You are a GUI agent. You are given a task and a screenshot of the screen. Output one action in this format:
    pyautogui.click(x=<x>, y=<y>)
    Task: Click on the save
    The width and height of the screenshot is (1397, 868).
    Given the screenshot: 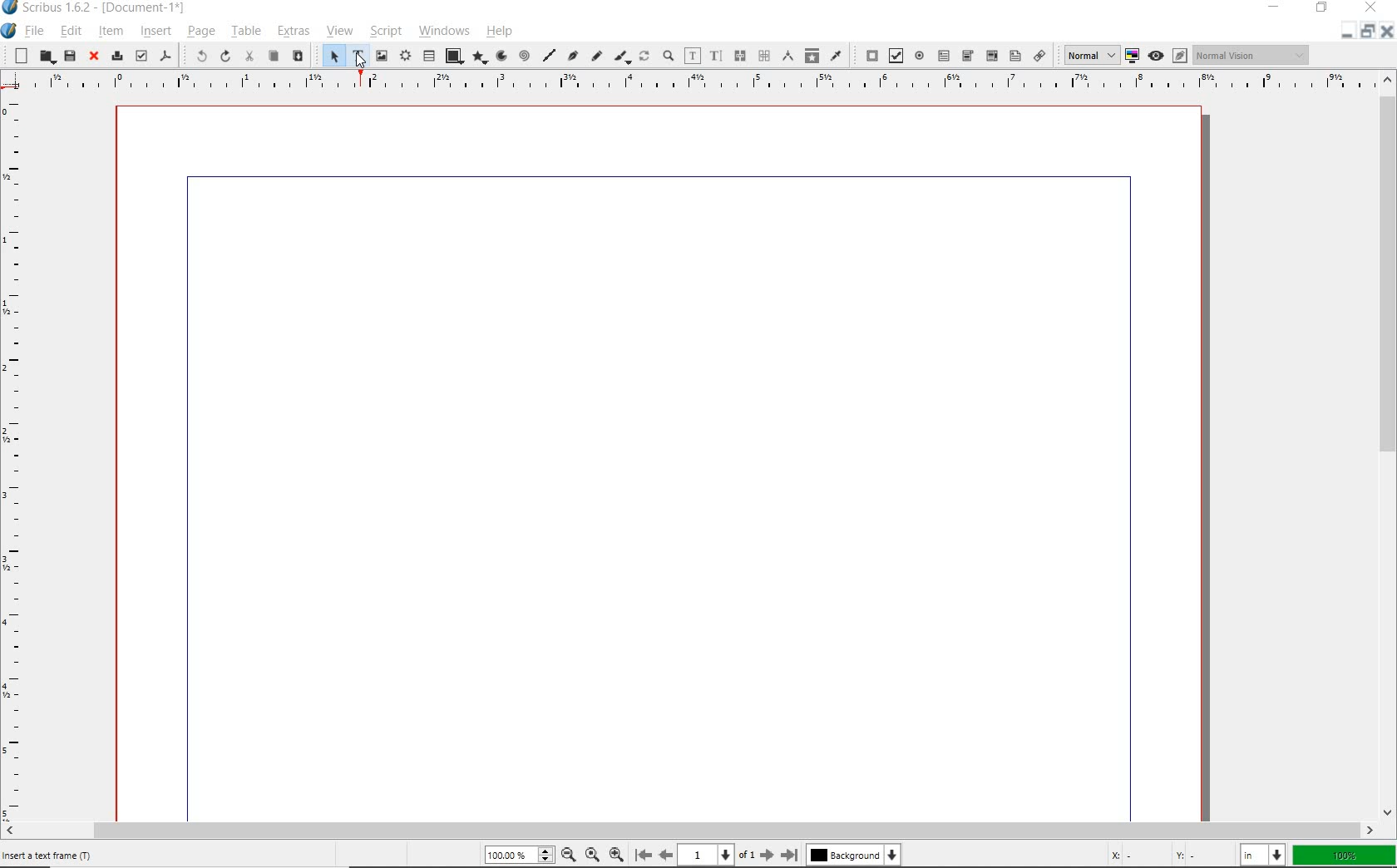 What is the action you would take?
    pyautogui.click(x=68, y=56)
    